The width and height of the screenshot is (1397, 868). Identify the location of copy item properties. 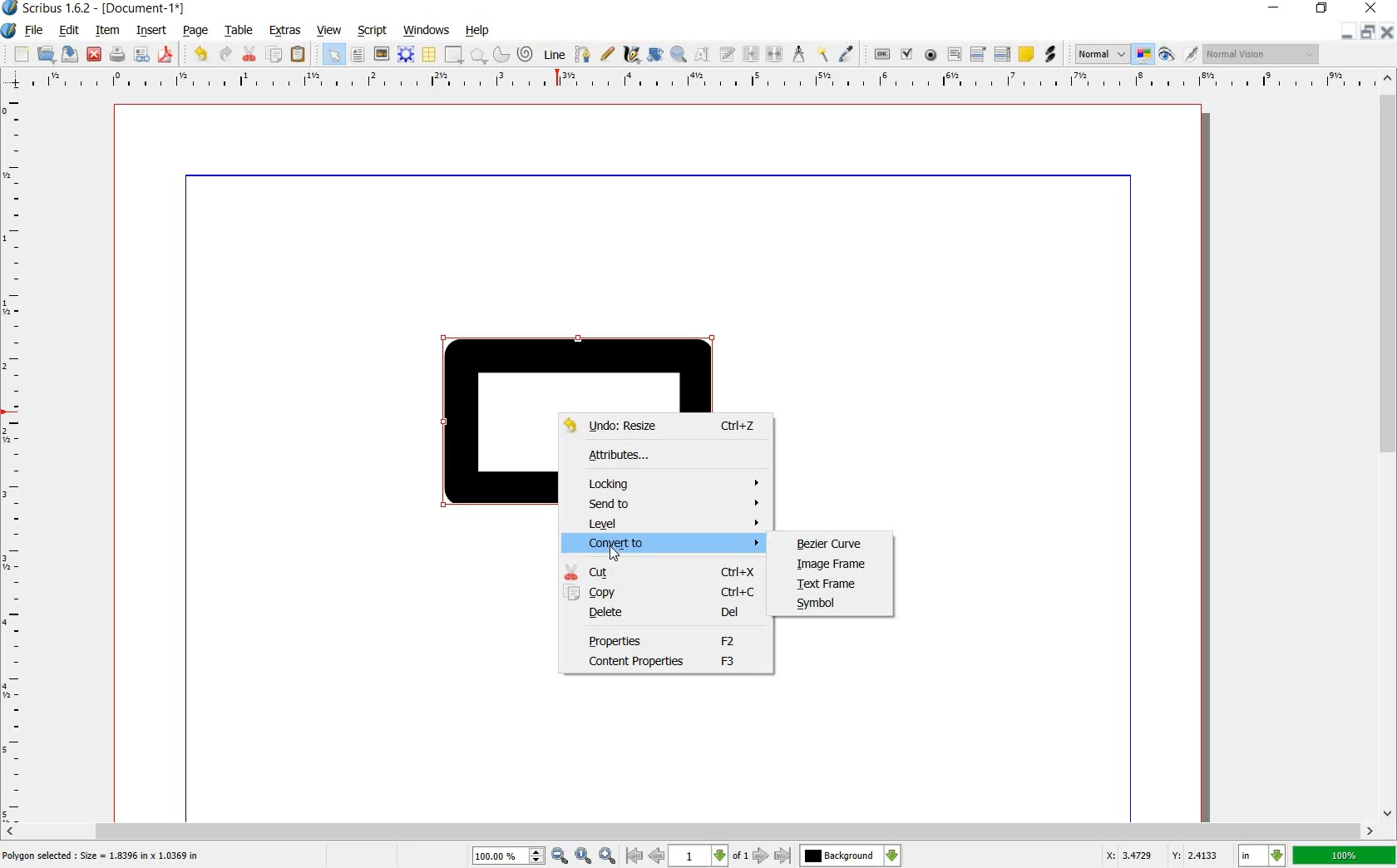
(822, 53).